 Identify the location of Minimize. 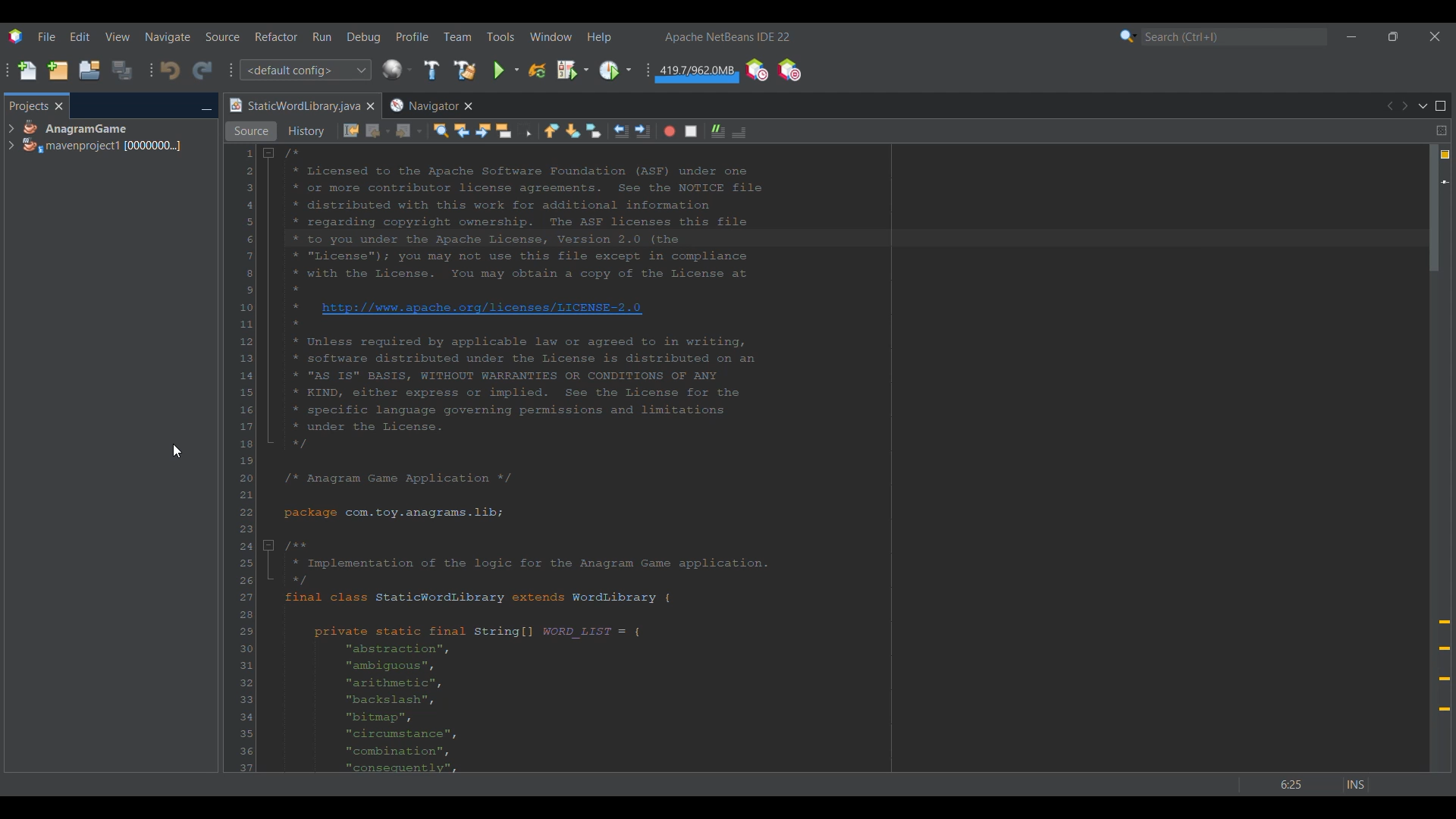
(1351, 36).